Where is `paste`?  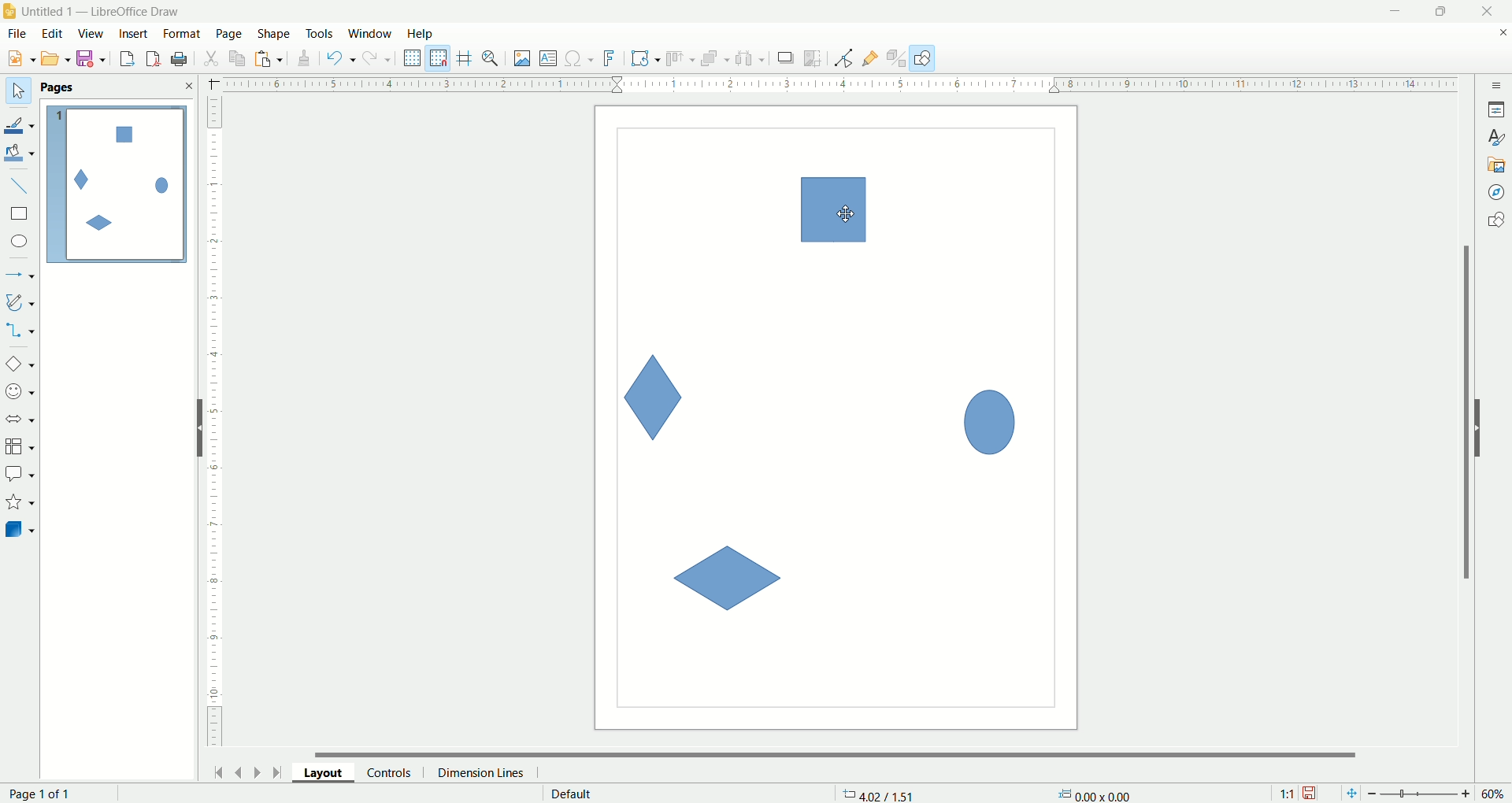 paste is located at coordinates (272, 57).